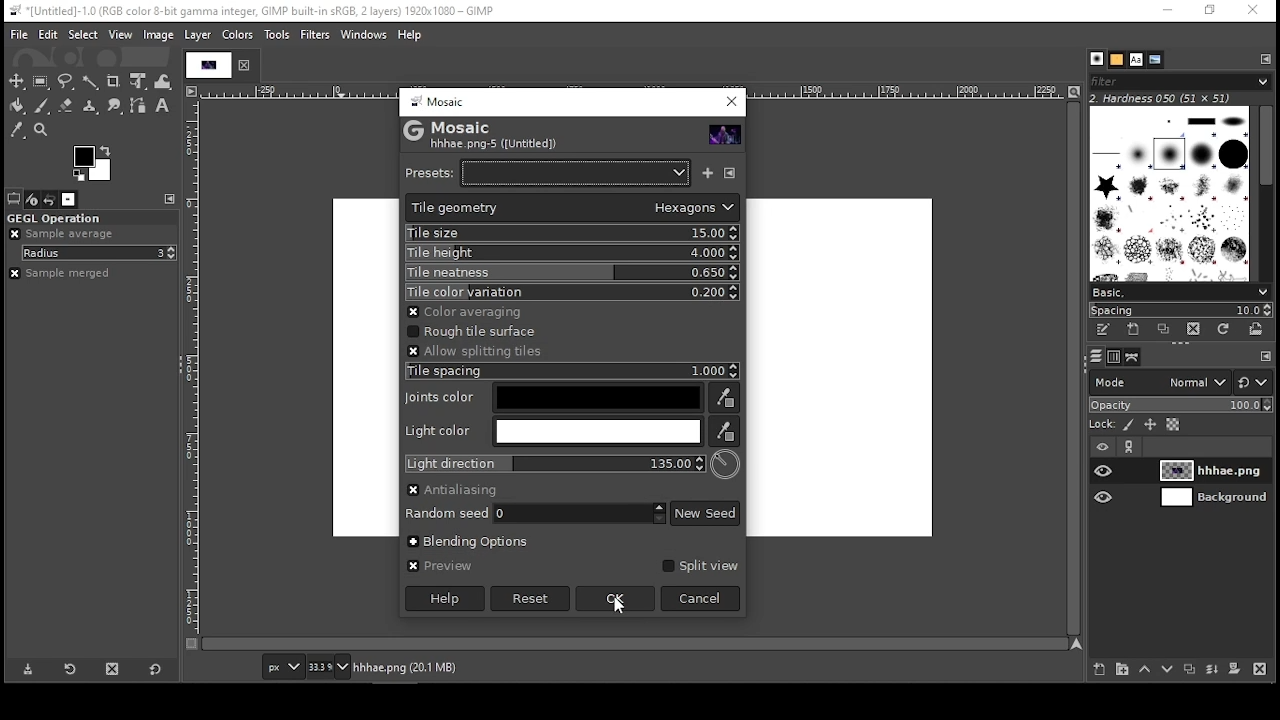  What do you see at coordinates (1076, 368) in the screenshot?
I see `scroll bar` at bounding box center [1076, 368].